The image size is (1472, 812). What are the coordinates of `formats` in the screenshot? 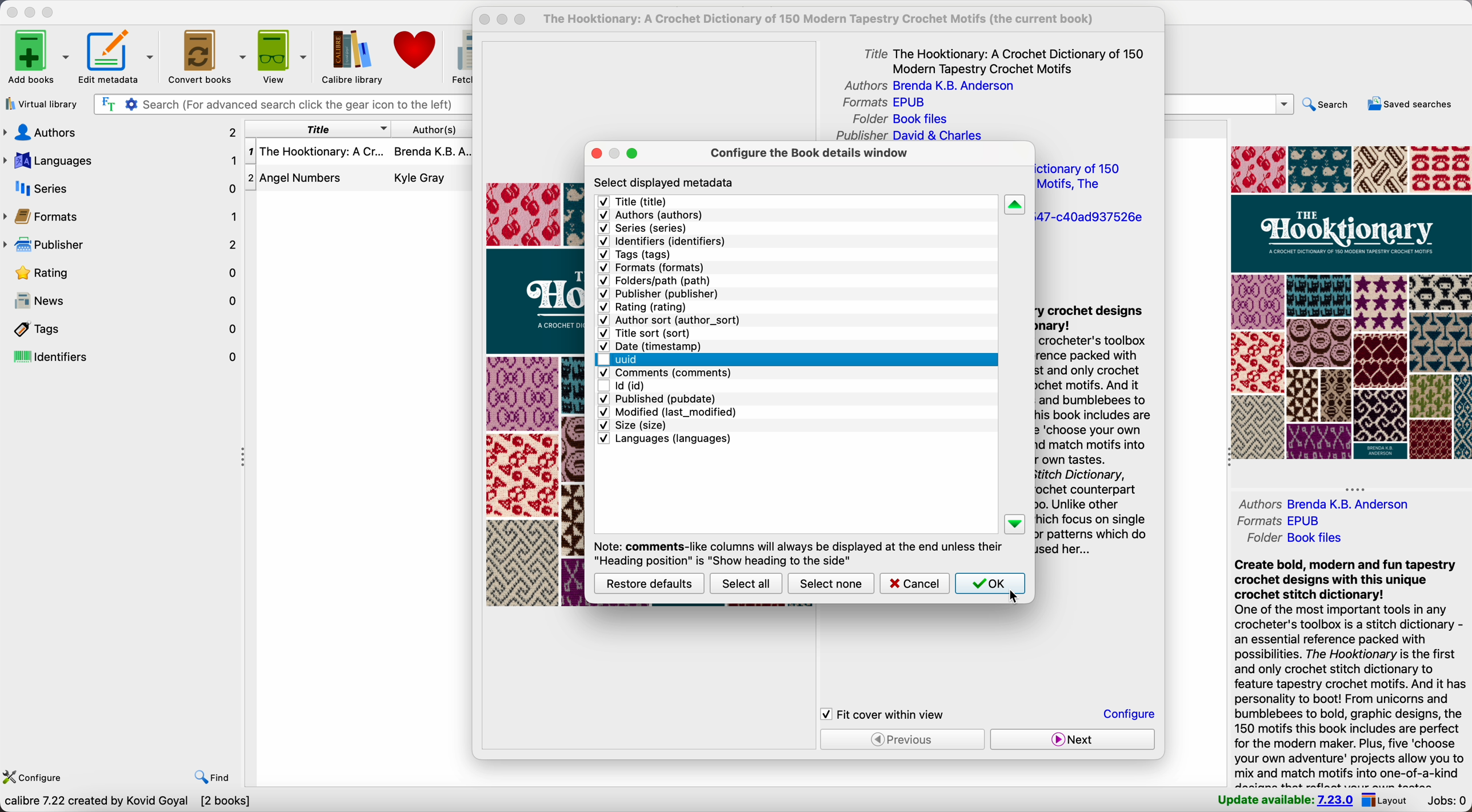 It's located at (653, 267).